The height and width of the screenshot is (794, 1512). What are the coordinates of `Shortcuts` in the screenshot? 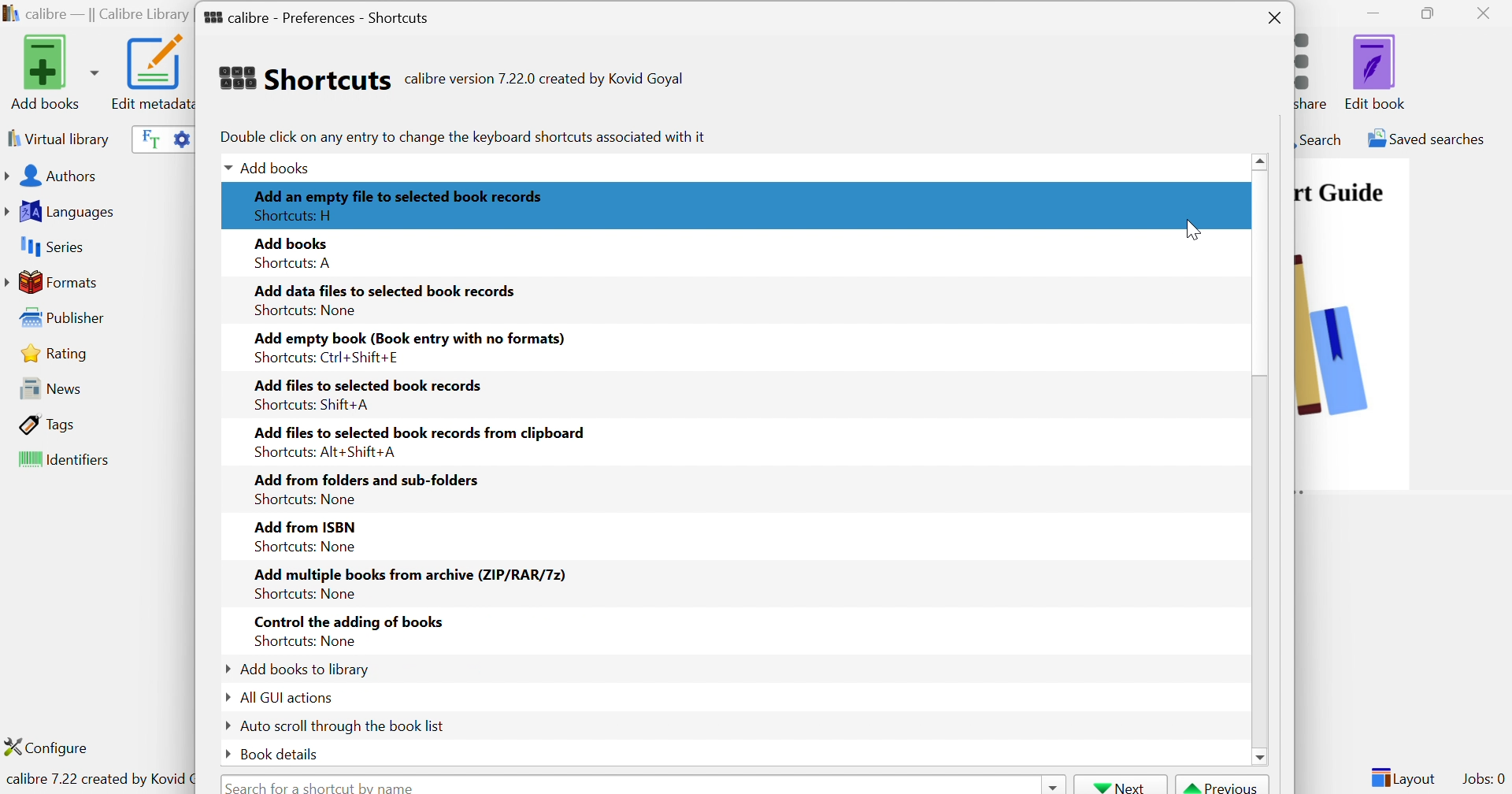 It's located at (303, 78).